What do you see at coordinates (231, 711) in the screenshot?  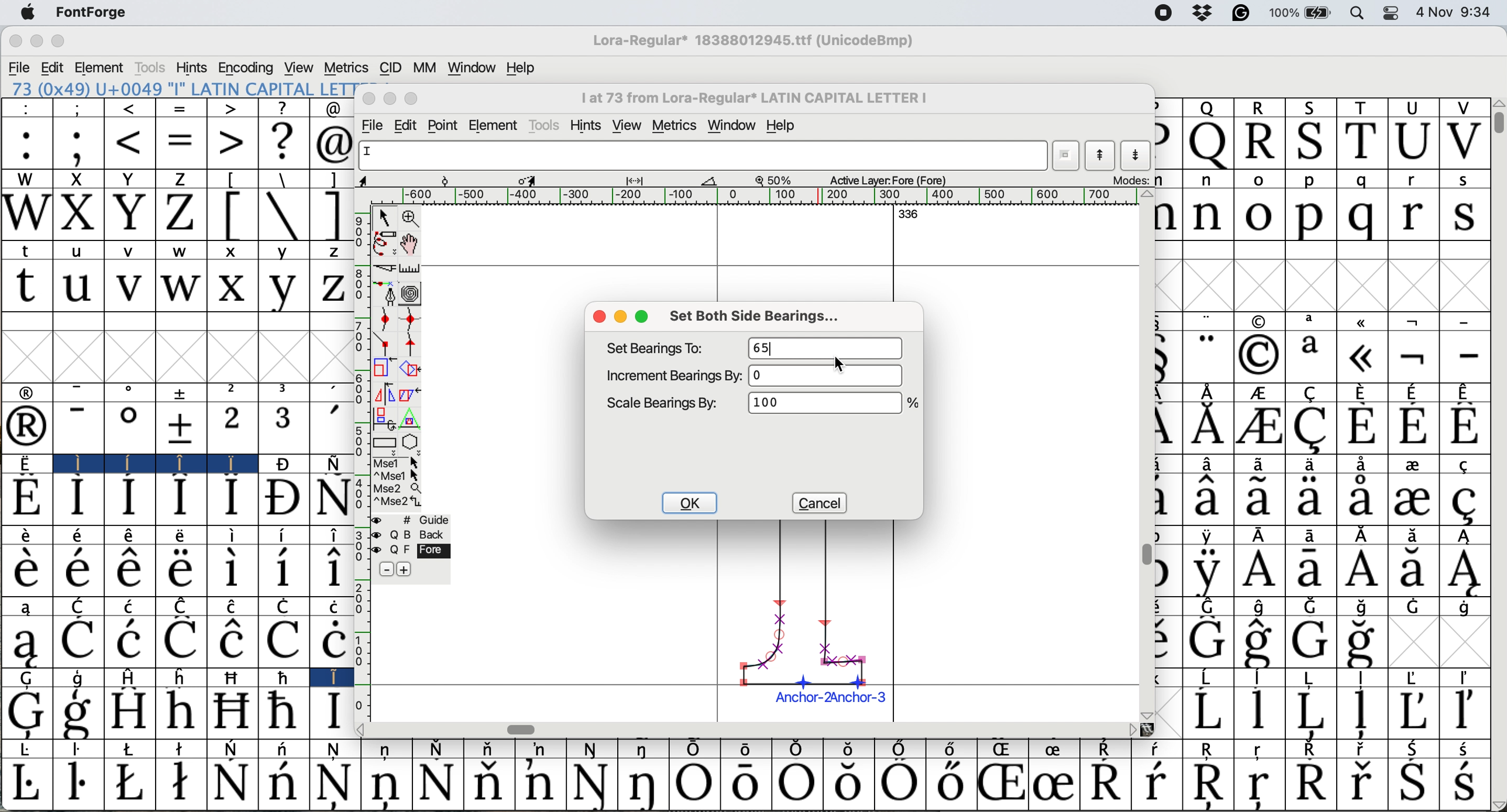 I see `Symbol` at bounding box center [231, 711].